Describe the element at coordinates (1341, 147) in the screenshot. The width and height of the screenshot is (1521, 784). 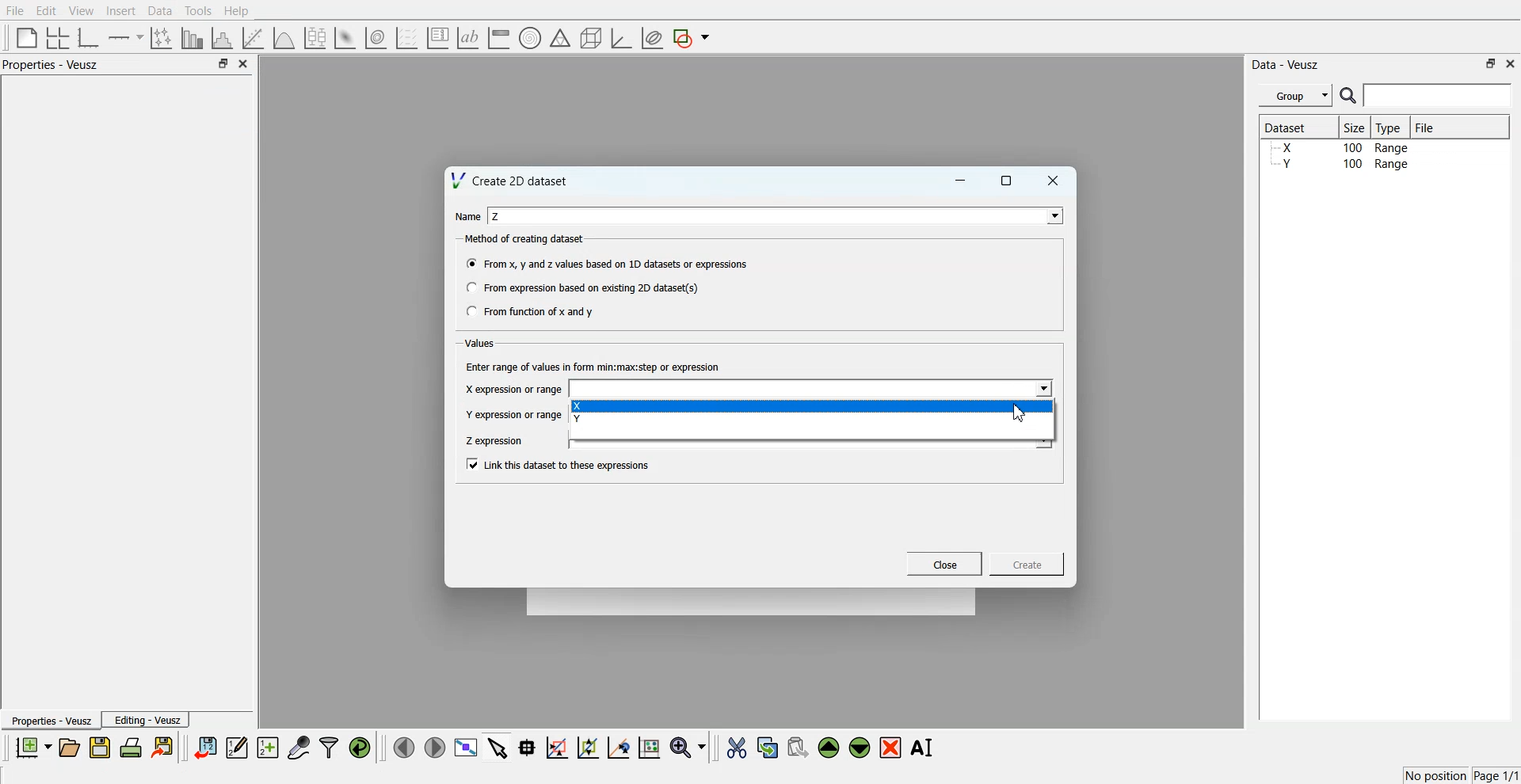
I see `X 100 Range` at that location.